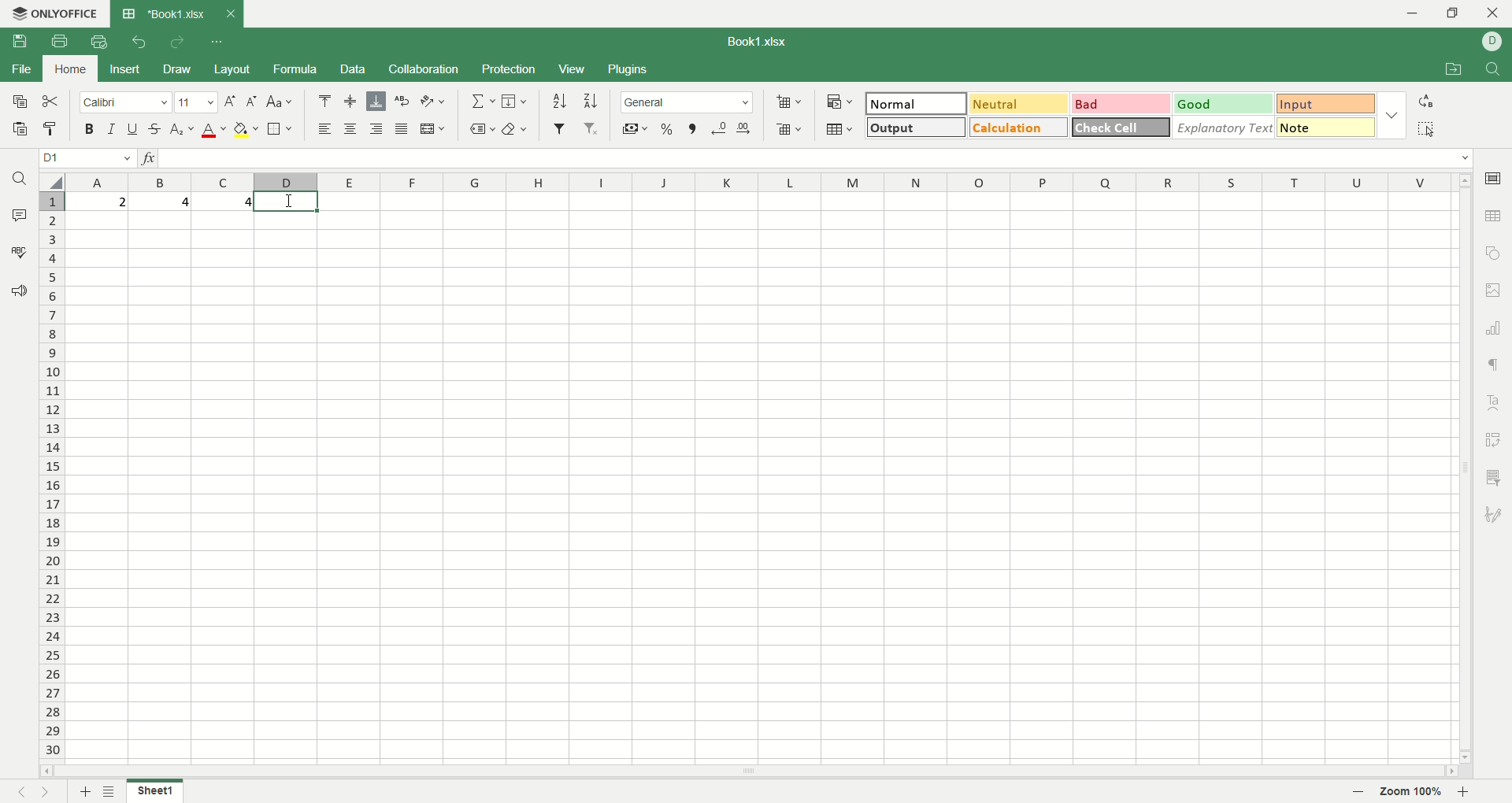  I want to click on save, so click(21, 42).